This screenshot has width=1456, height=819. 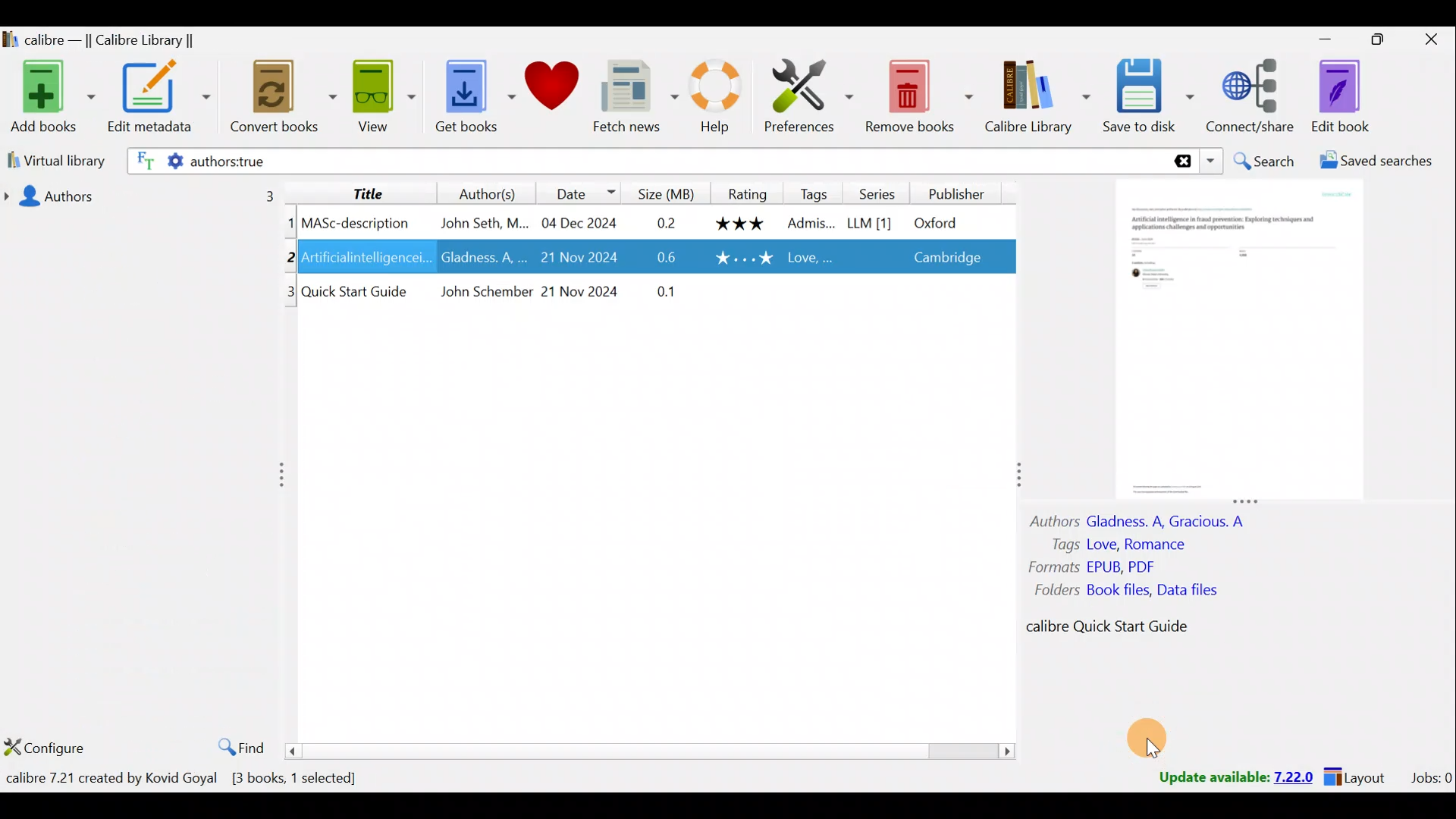 What do you see at coordinates (576, 193) in the screenshot?
I see `Date` at bounding box center [576, 193].